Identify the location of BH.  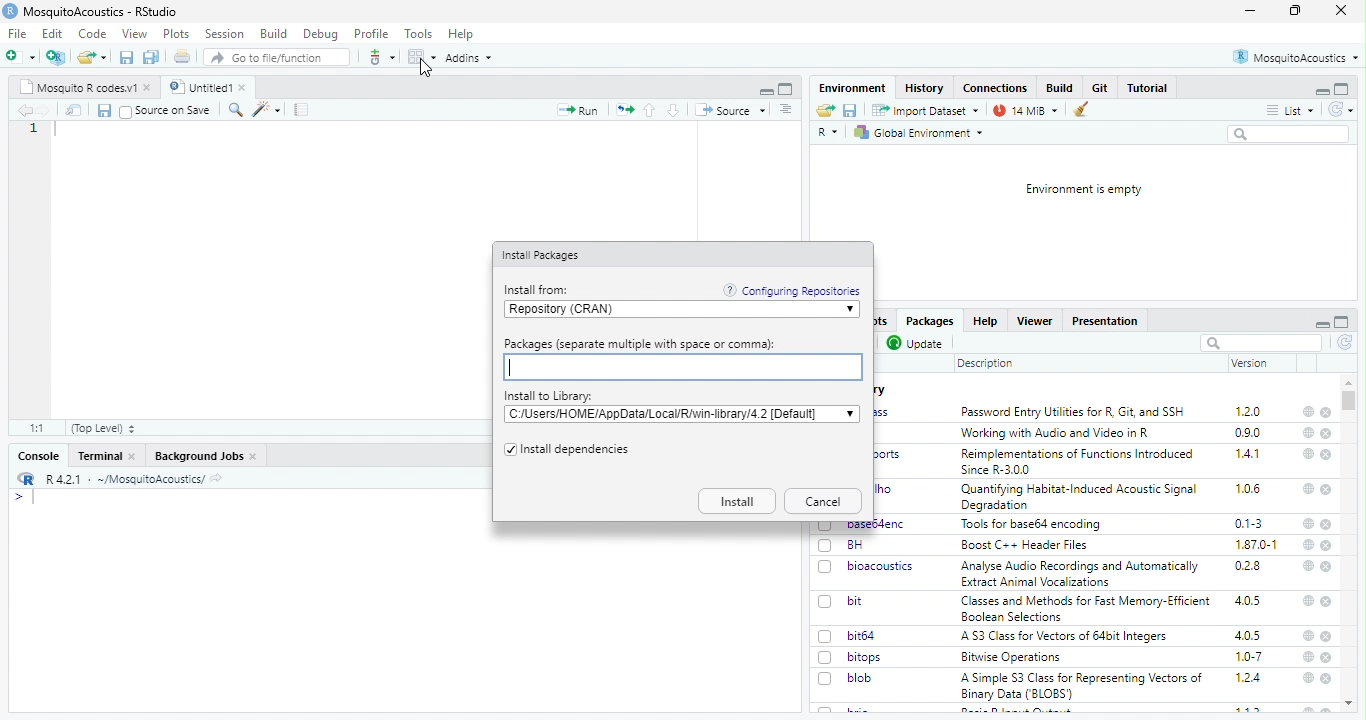
(855, 545).